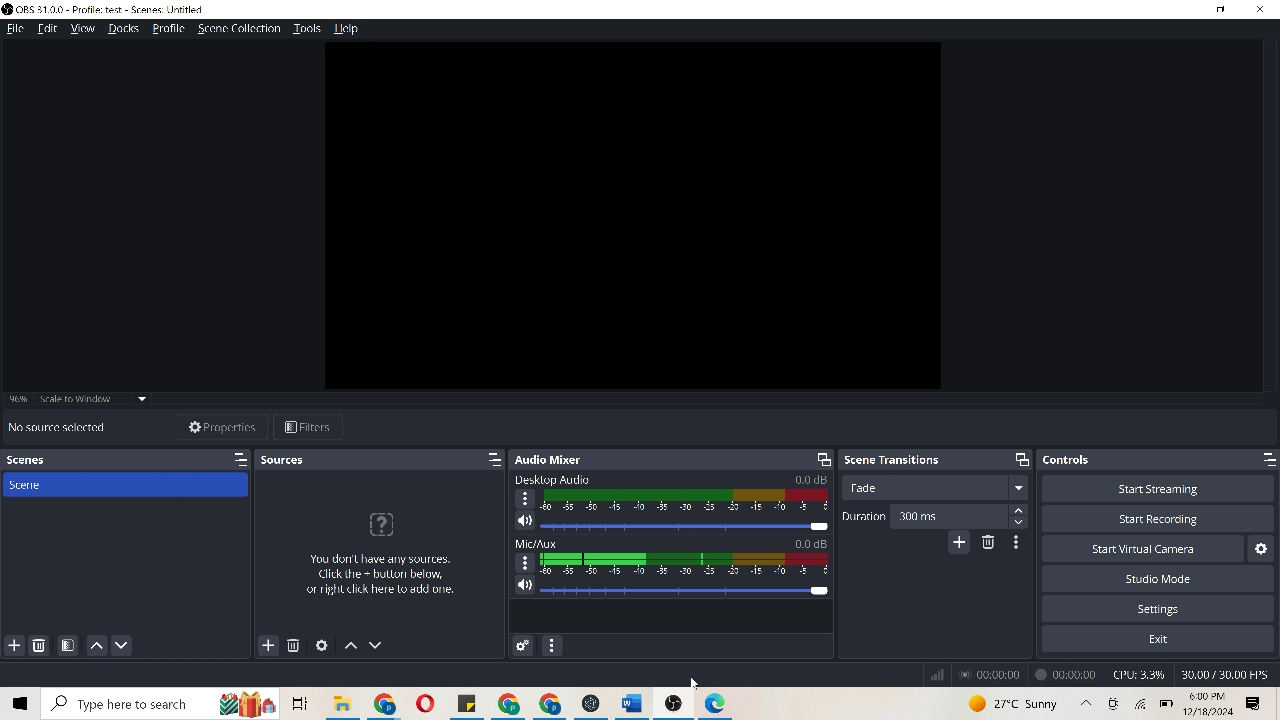 Image resolution: width=1280 pixels, height=720 pixels. I want to click on controls, so click(1089, 459).